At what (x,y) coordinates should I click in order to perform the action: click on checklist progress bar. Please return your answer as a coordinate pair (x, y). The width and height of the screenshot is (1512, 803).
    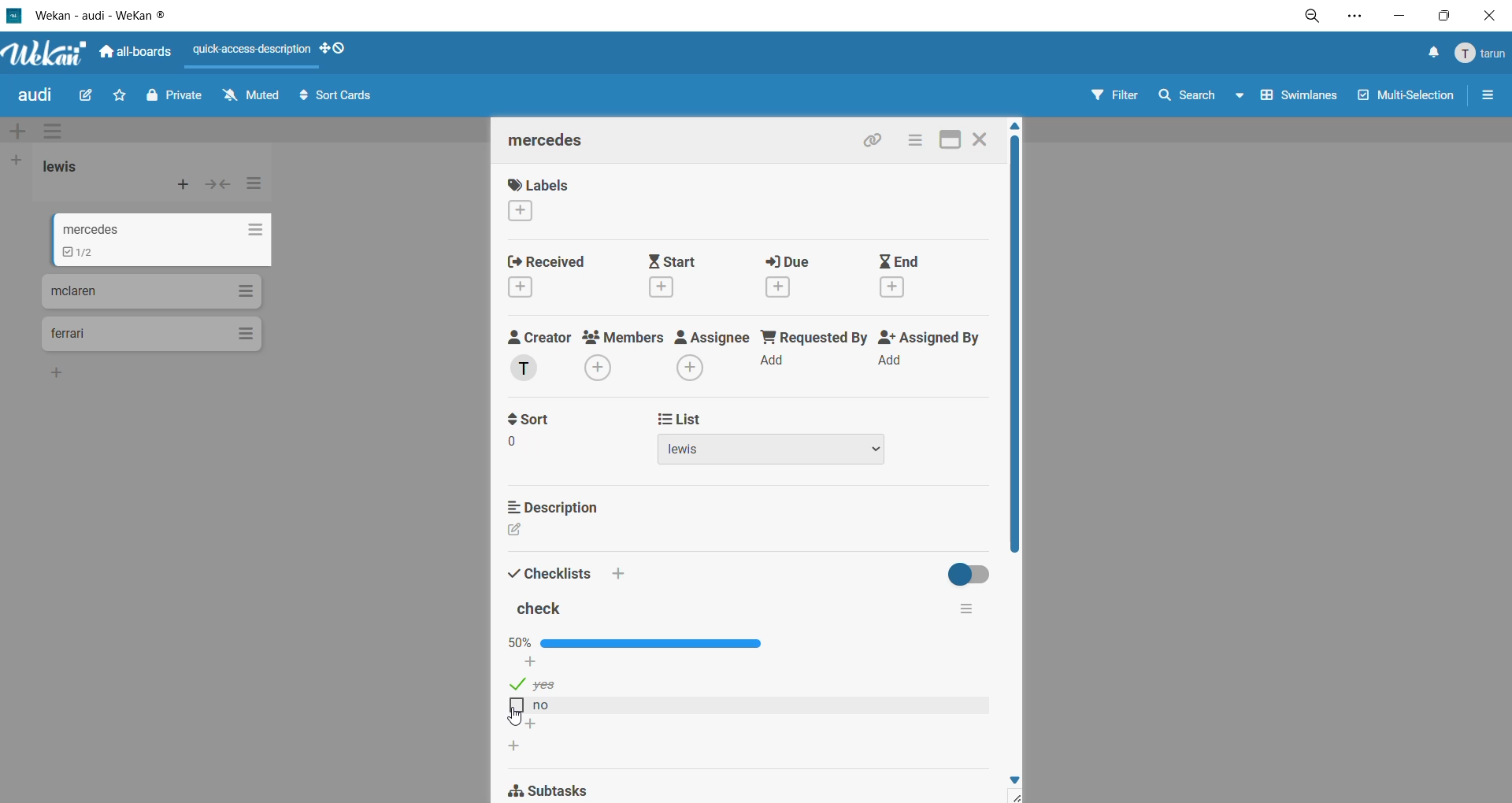
    Looking at the image, I should click on (642, 644).